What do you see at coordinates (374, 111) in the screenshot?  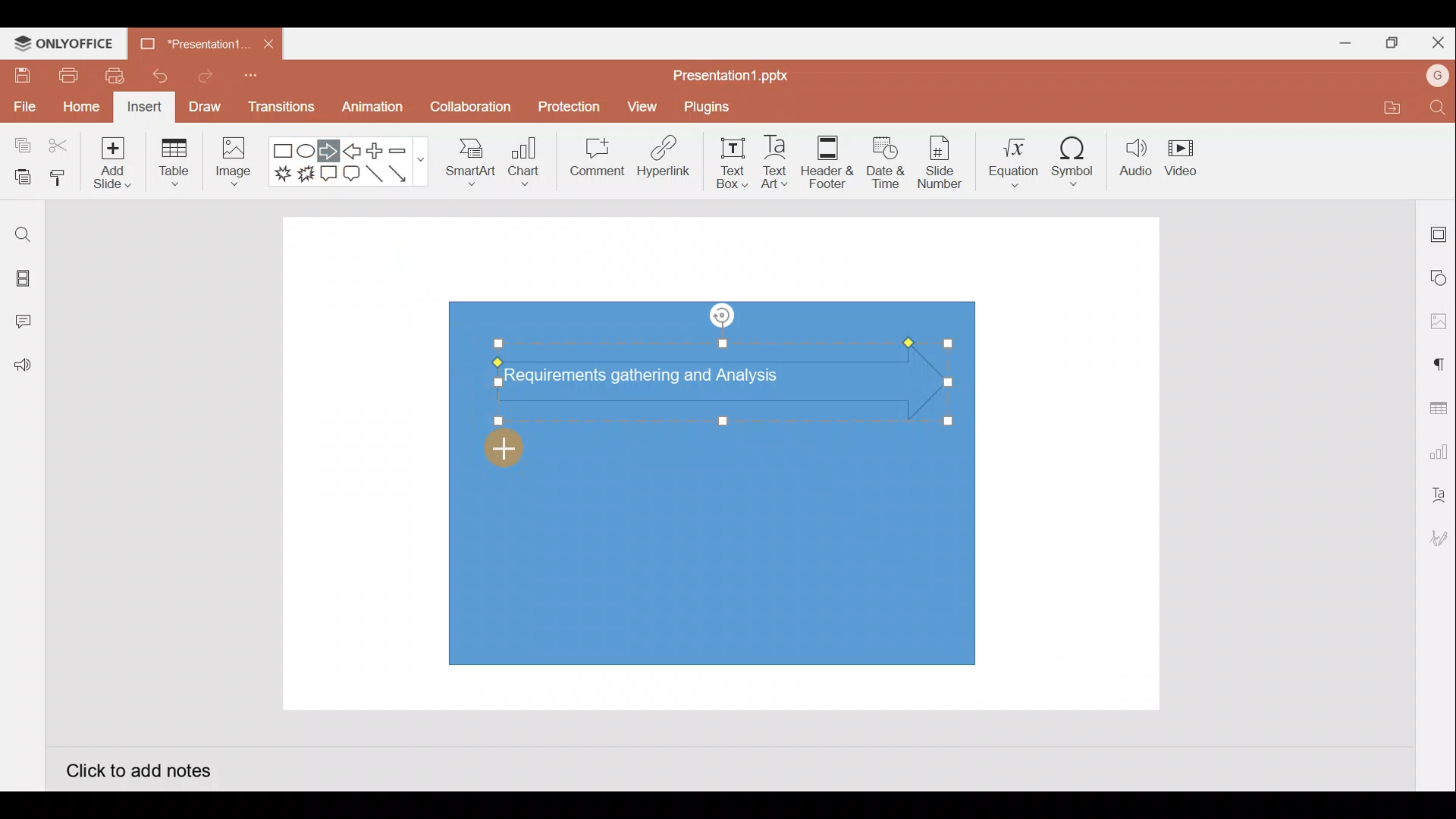 I see `Animation` at bounding box center [374, 111].